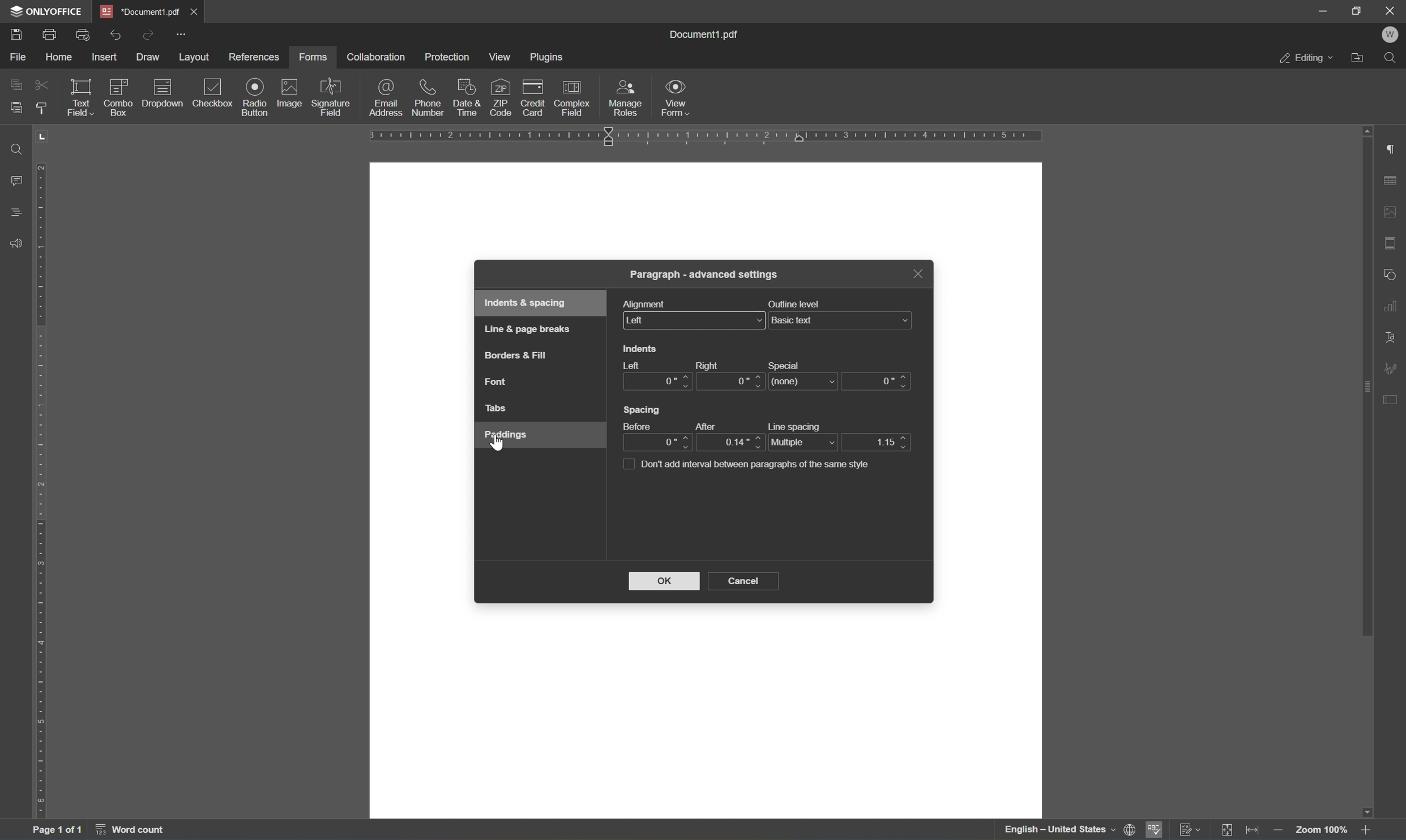 This screenshot has height=840, width=1406. Describe the element at coordinates (1392, 36) in the screenshot. I see `W` at that location.